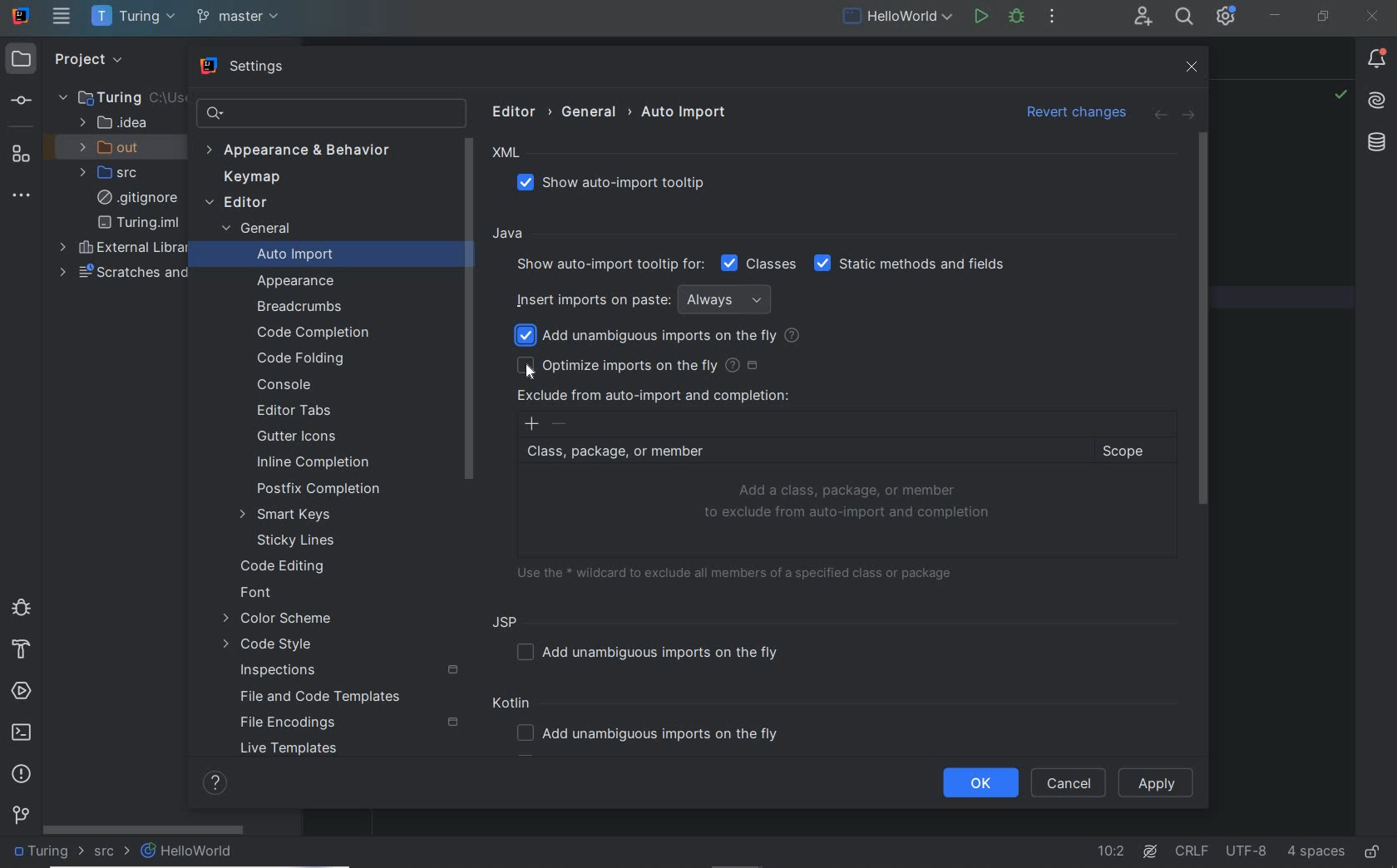 The height and width of the screenshot is (868, 1397). I want to click on CODE COMPLETION, so click(311, 331).